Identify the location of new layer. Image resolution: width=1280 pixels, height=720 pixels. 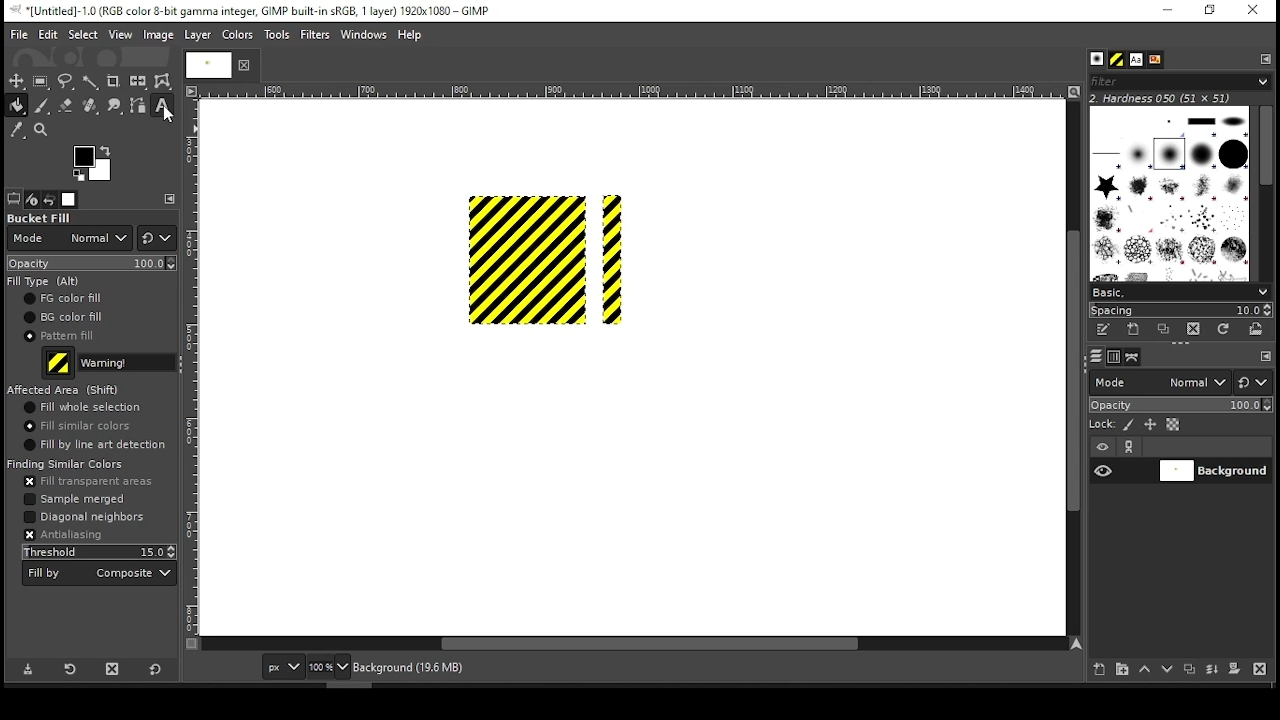
(1095, 667).